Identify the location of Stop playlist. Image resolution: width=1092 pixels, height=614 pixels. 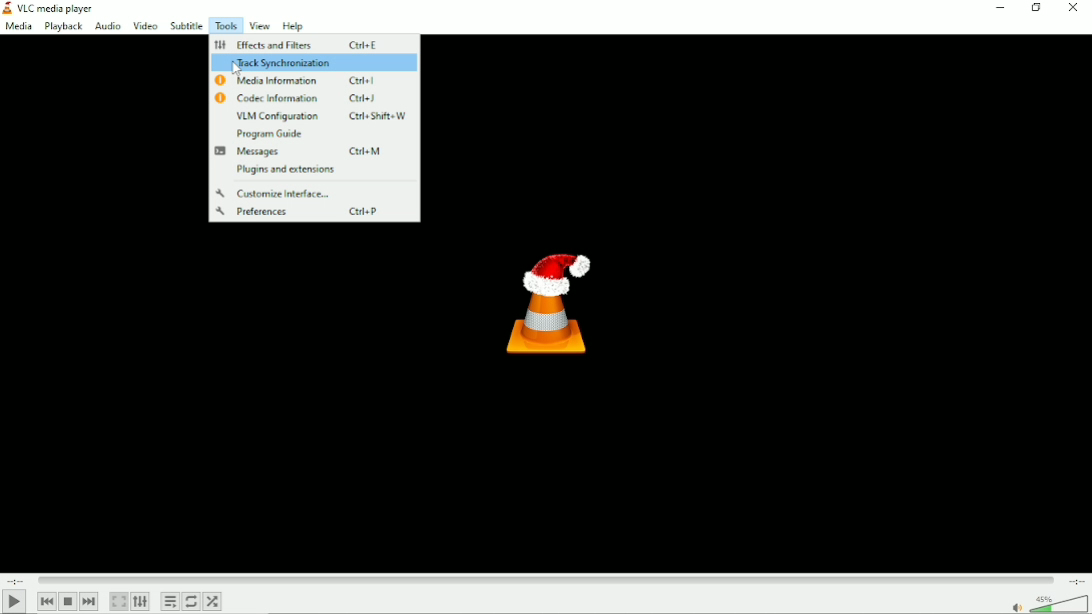
(68, 601).